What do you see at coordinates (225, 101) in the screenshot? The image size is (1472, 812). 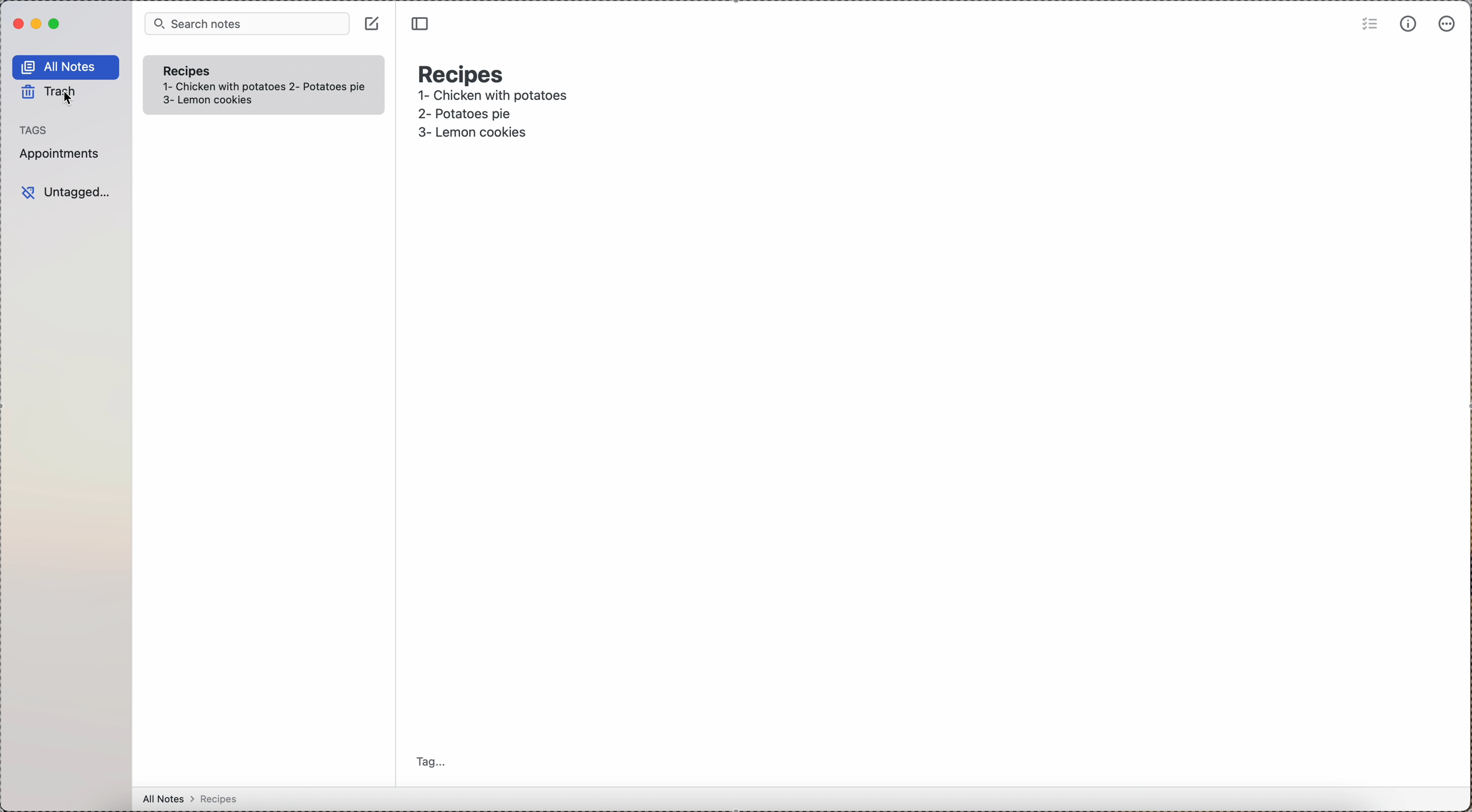 I see `3-Lemon Cookies` at bounding box center [225, 101].